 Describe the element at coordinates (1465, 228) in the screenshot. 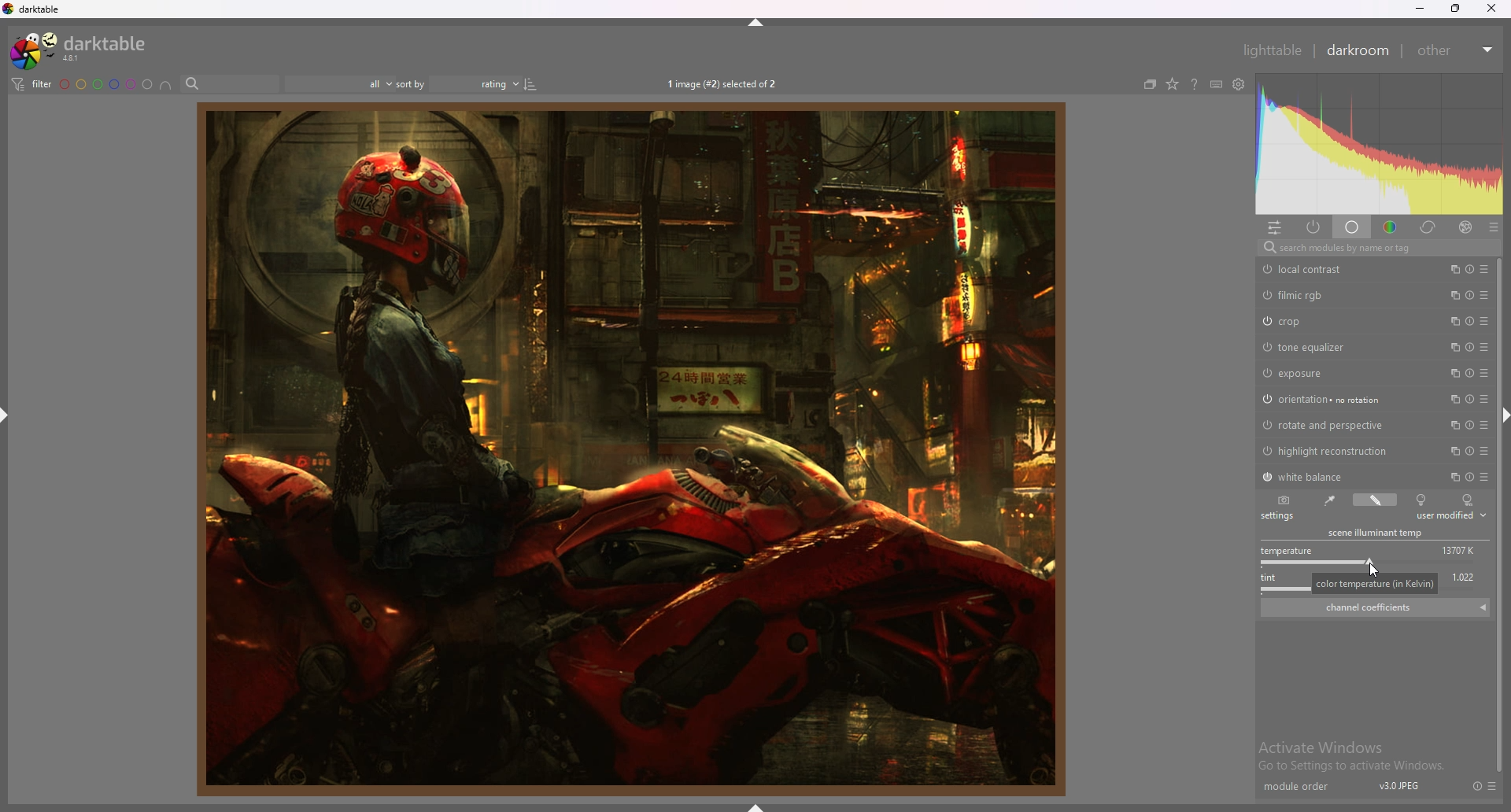

I see `effect` at that location.